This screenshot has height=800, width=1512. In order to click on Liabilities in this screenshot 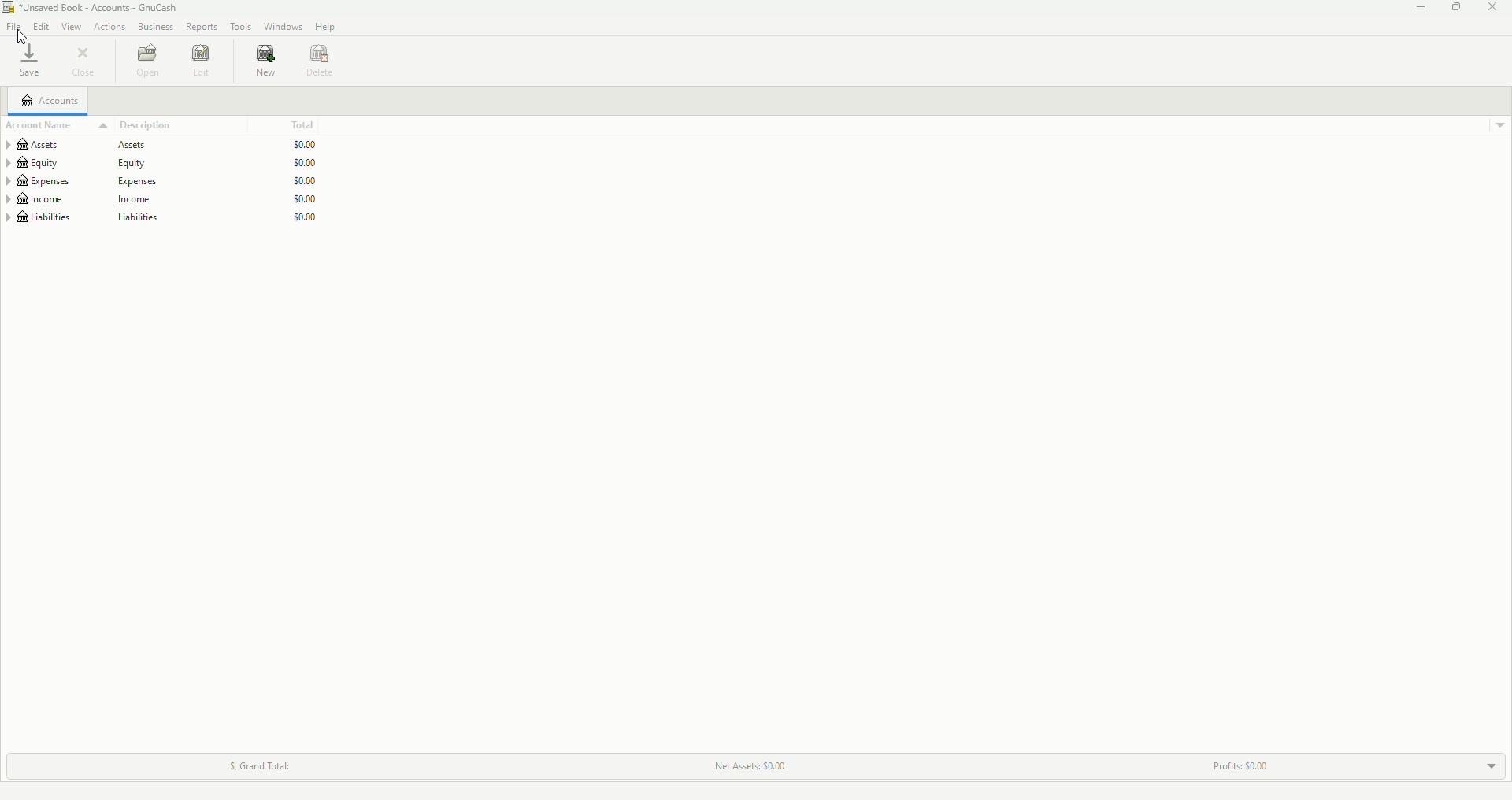, I will do `click(165, 220)`.